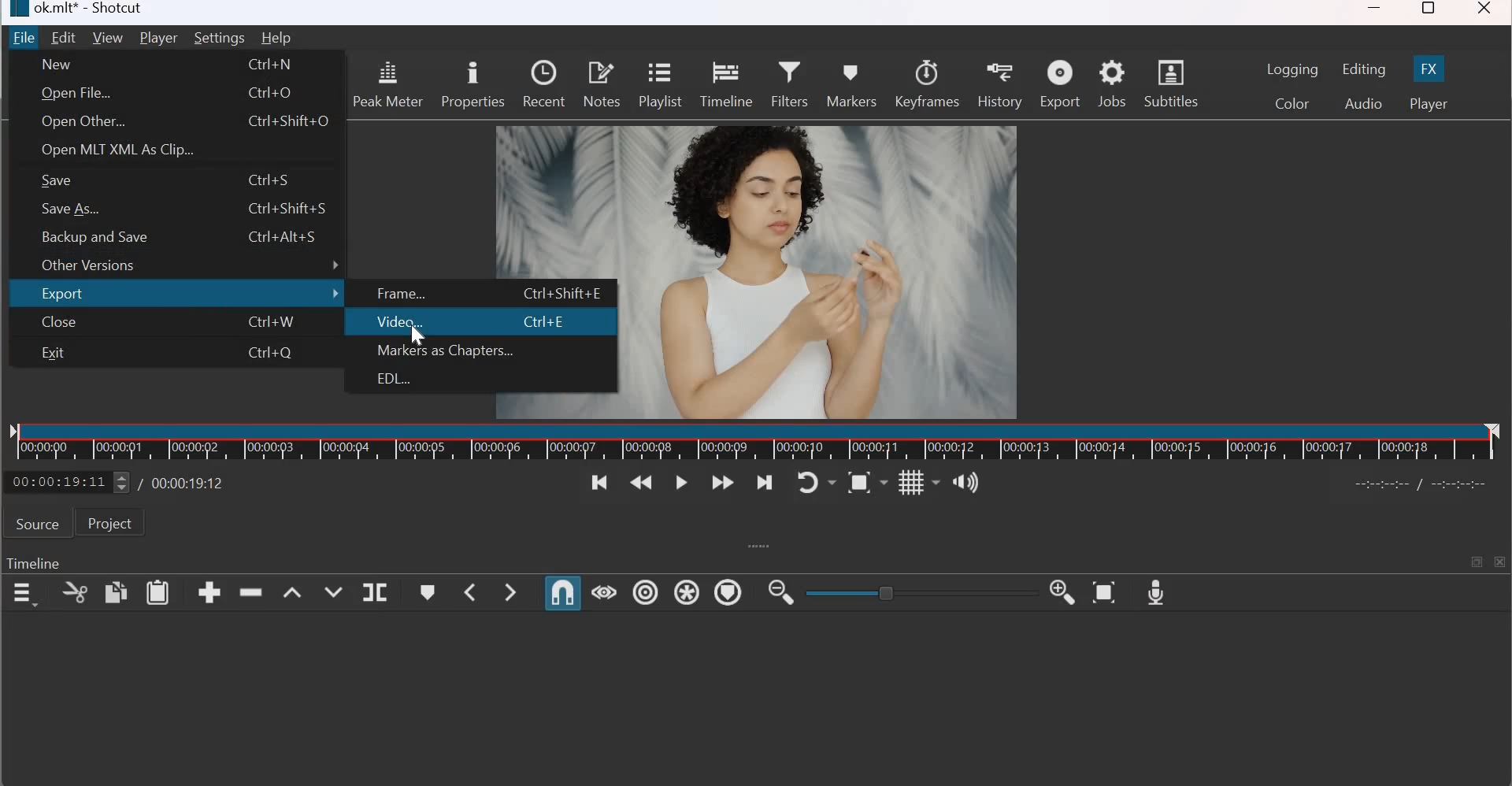 The width and height of the screenshot is (1512, 786). I want to click on maximize, so click(1474, 560).